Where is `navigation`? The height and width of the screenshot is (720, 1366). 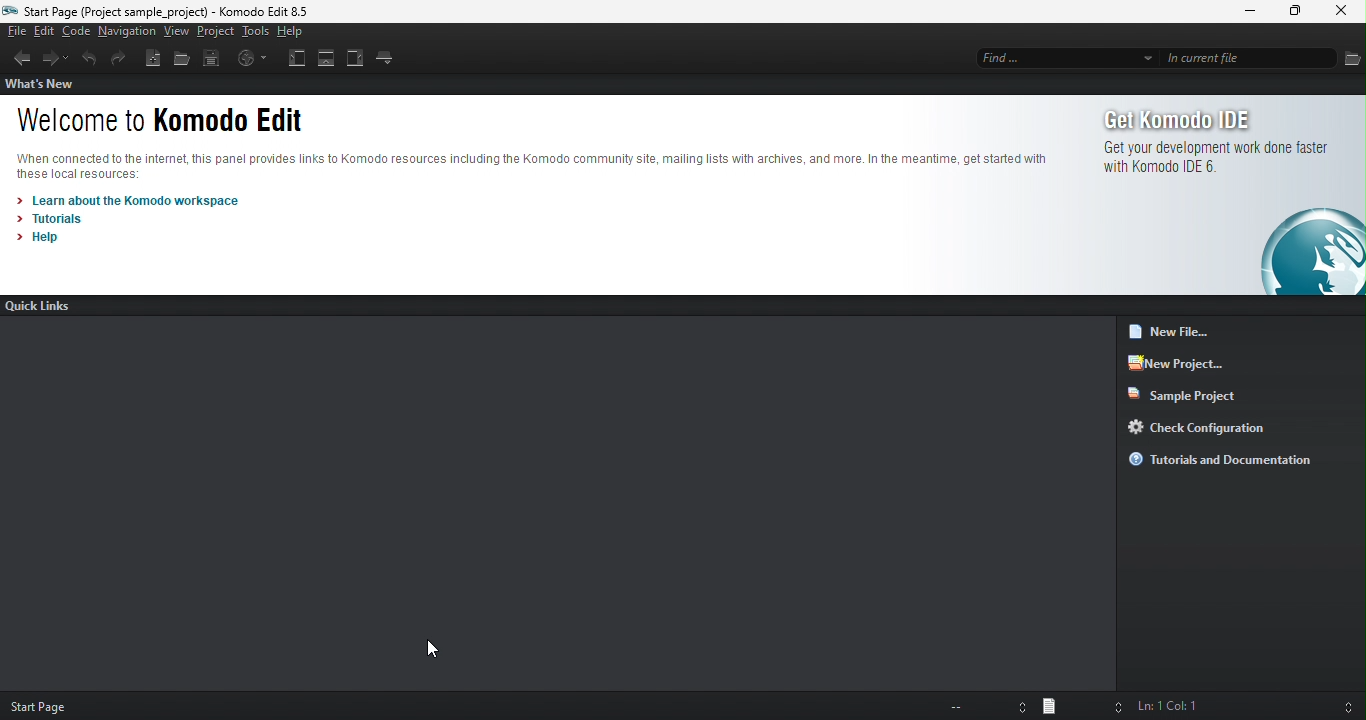 navigation is located at coordinates (128, 32).